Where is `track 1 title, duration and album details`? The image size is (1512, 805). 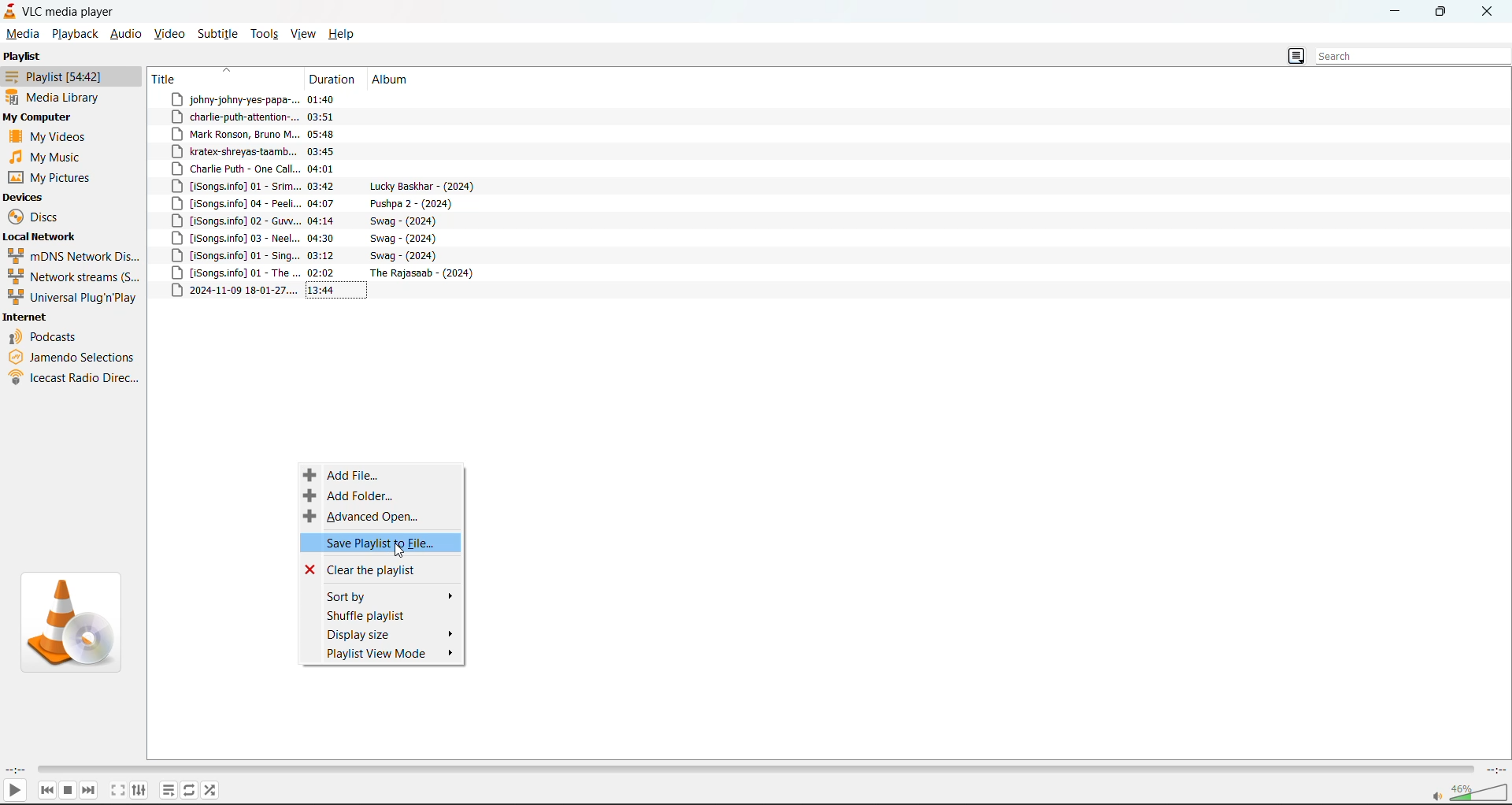 track 1 title, duration and album details is located at coordinates (291, 98).